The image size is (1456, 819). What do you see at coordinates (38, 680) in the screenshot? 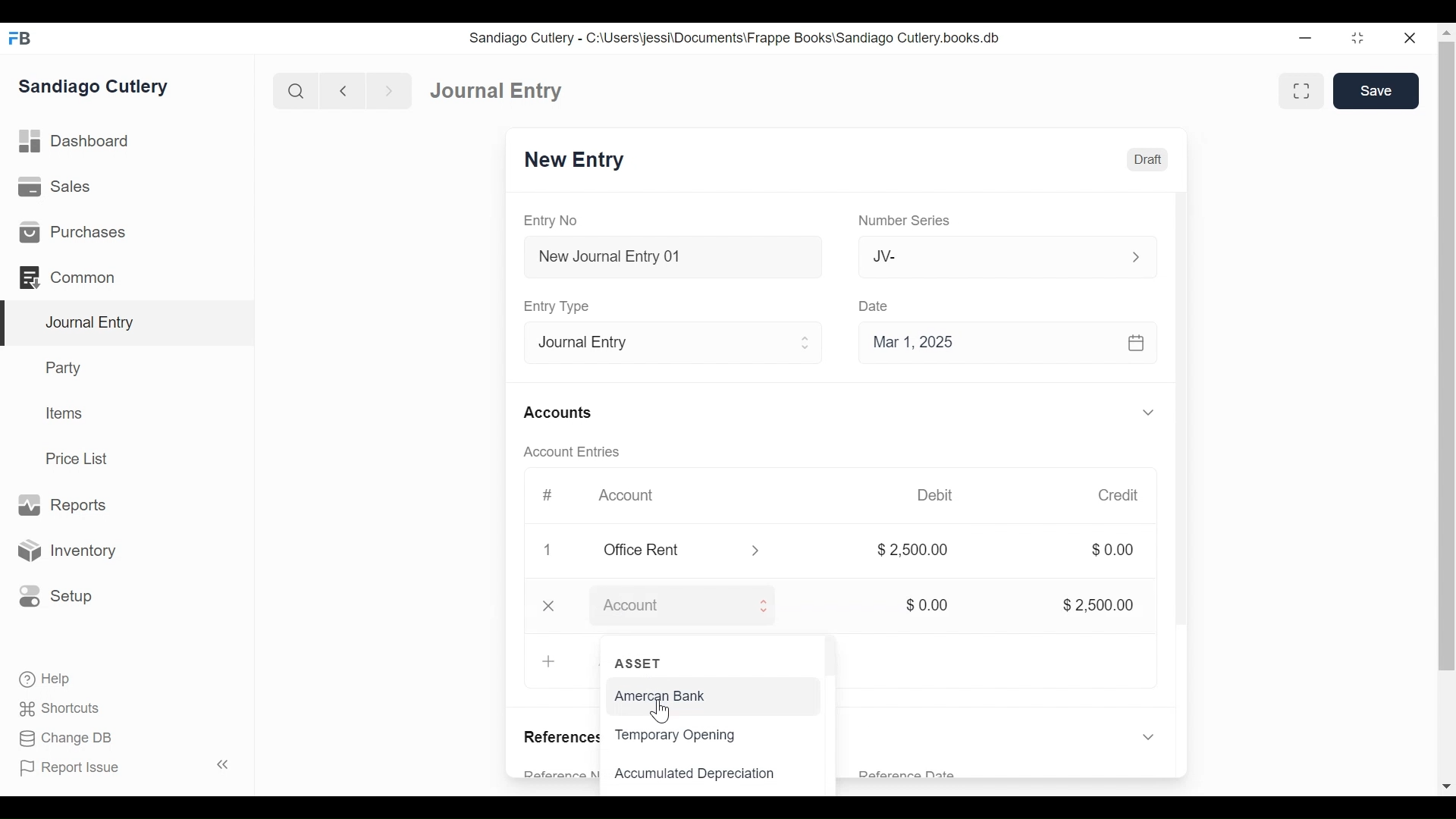
I see `Help` at bounding box center [38, 680].